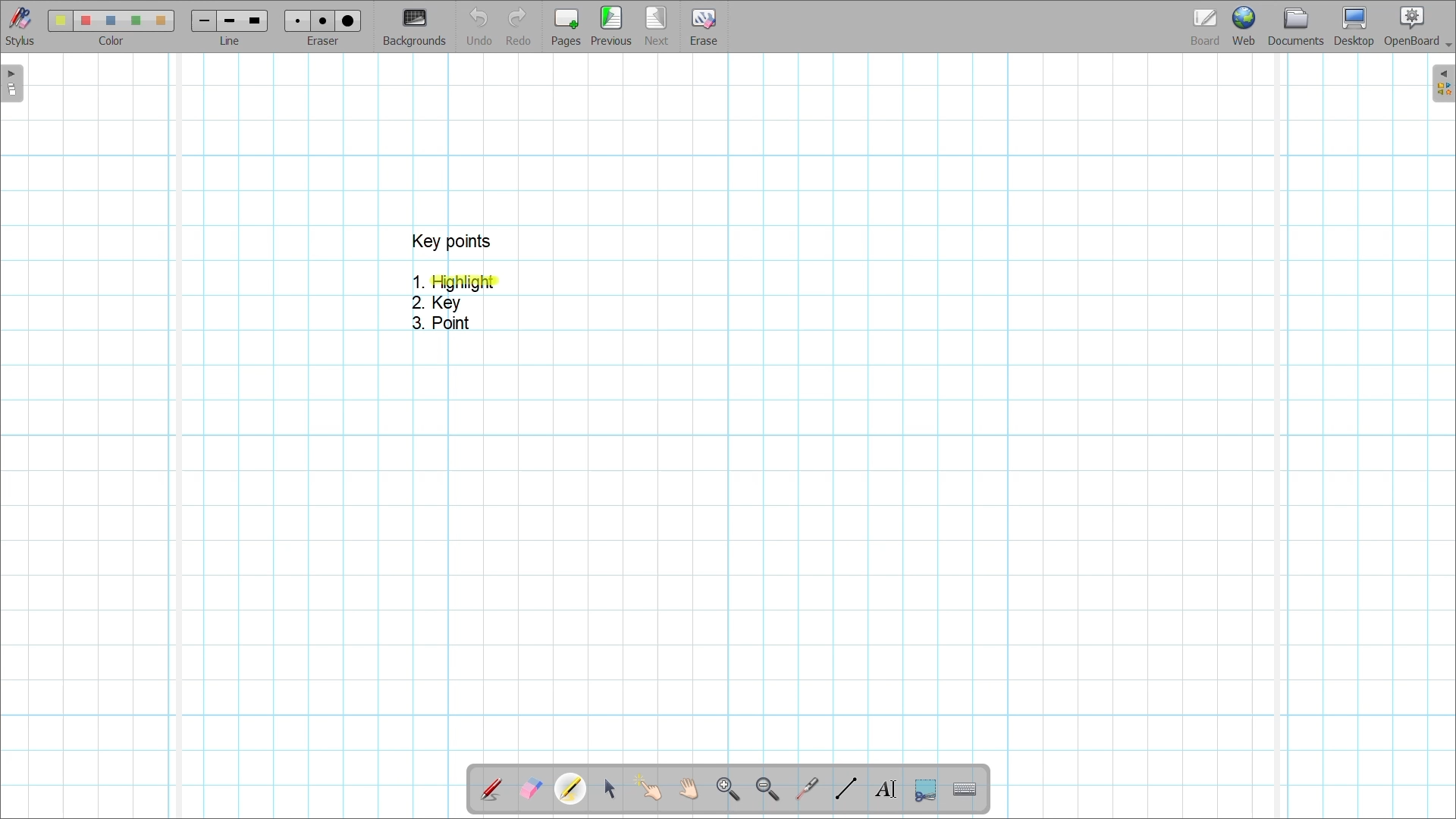  Describe the element at coordinates (566, 27) in the screenshot. I see `Add page` at that location.